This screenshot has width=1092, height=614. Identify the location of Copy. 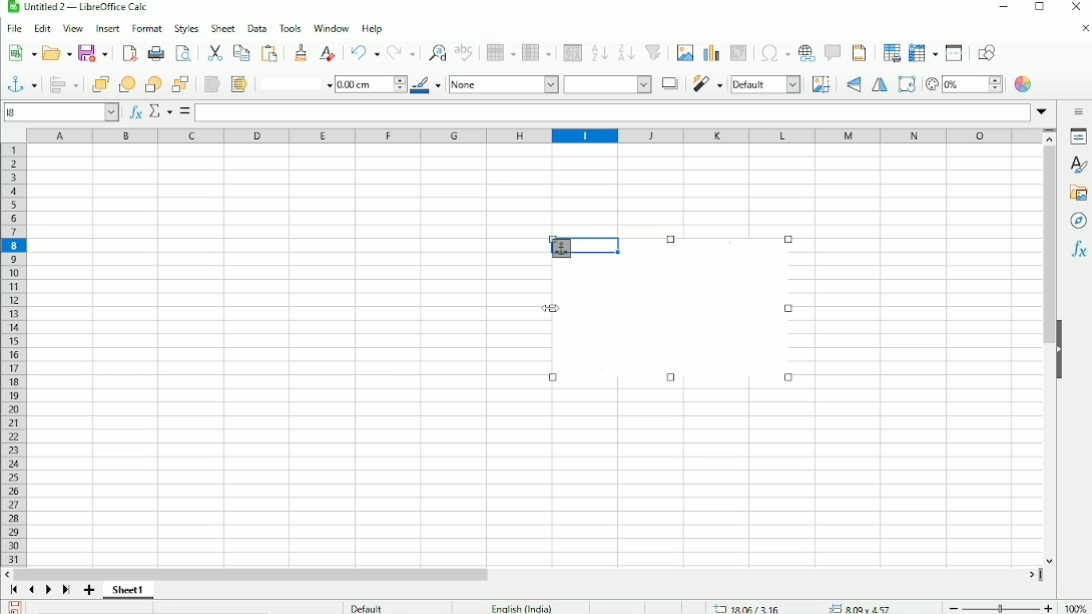
(241, 52).